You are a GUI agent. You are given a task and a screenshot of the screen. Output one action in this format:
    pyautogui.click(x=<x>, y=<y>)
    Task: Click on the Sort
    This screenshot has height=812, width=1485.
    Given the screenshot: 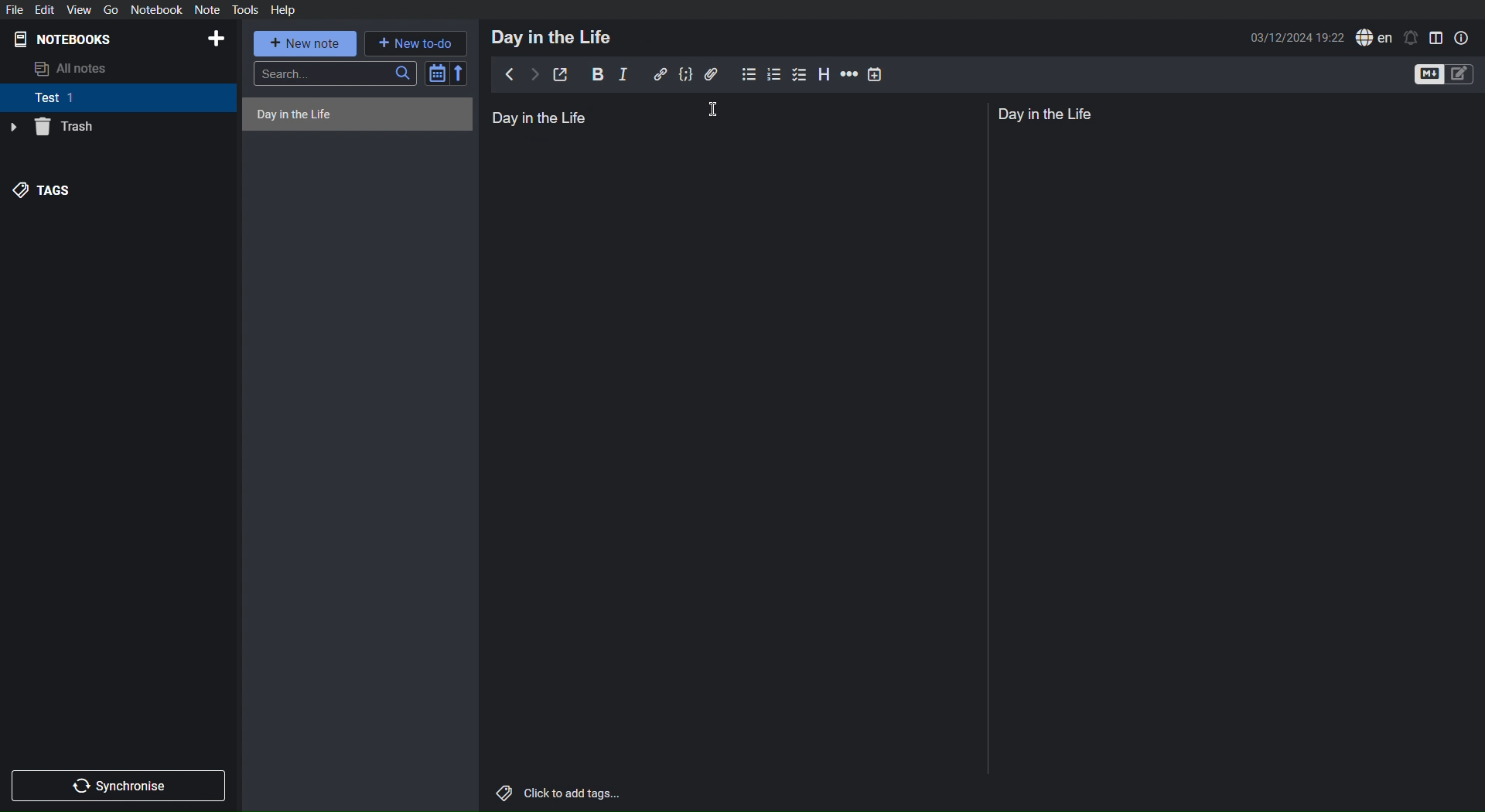 What is the action you would take?
    pyautogui.click(x=446, y=73)
    